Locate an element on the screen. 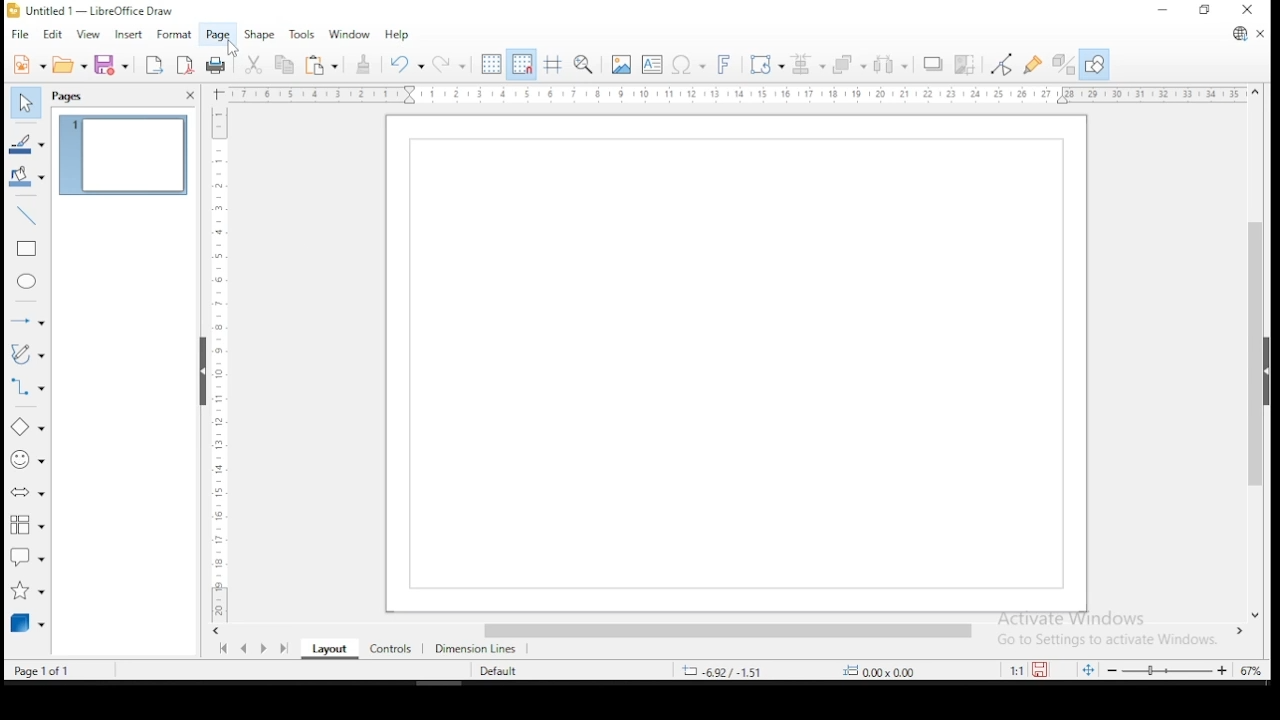  open is located at coordinates (68, 65).